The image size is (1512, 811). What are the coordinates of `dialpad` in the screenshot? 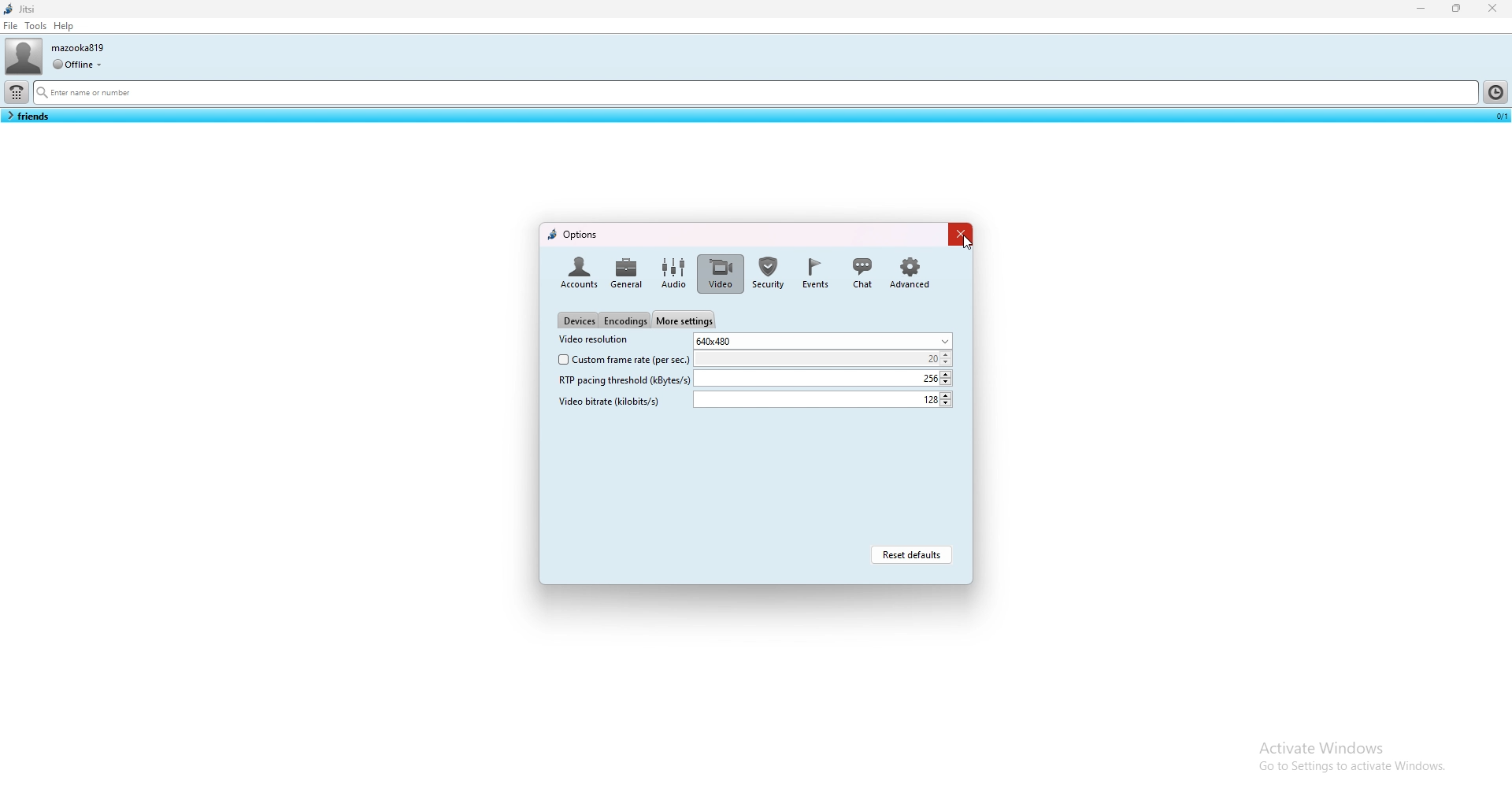 It's located at (17, 92).